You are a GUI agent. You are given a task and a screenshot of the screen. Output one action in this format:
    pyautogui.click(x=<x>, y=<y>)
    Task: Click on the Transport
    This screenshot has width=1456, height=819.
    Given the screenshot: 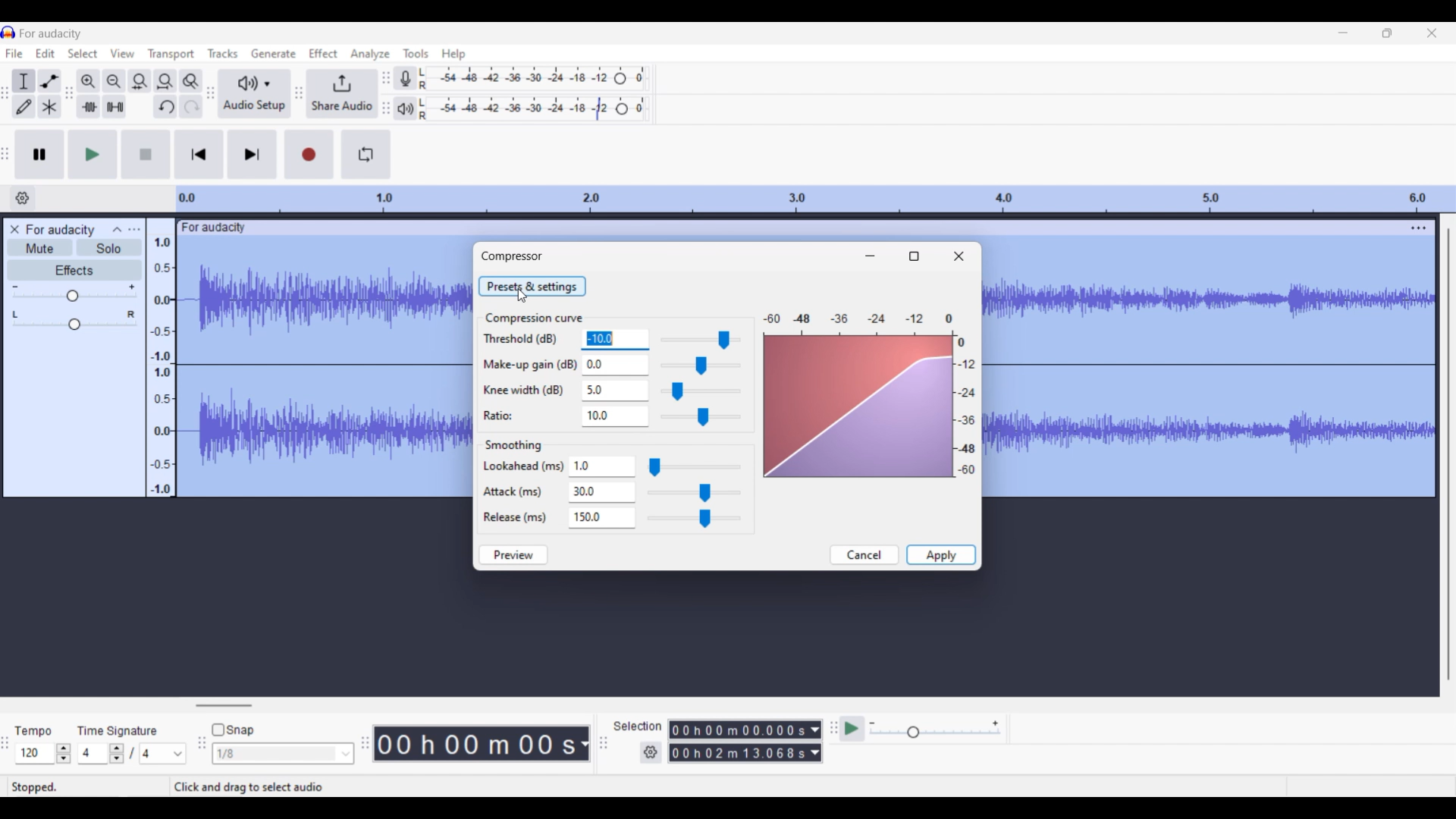 What is the action you would take?
    pyautogui.click(x=171, y=55)
    